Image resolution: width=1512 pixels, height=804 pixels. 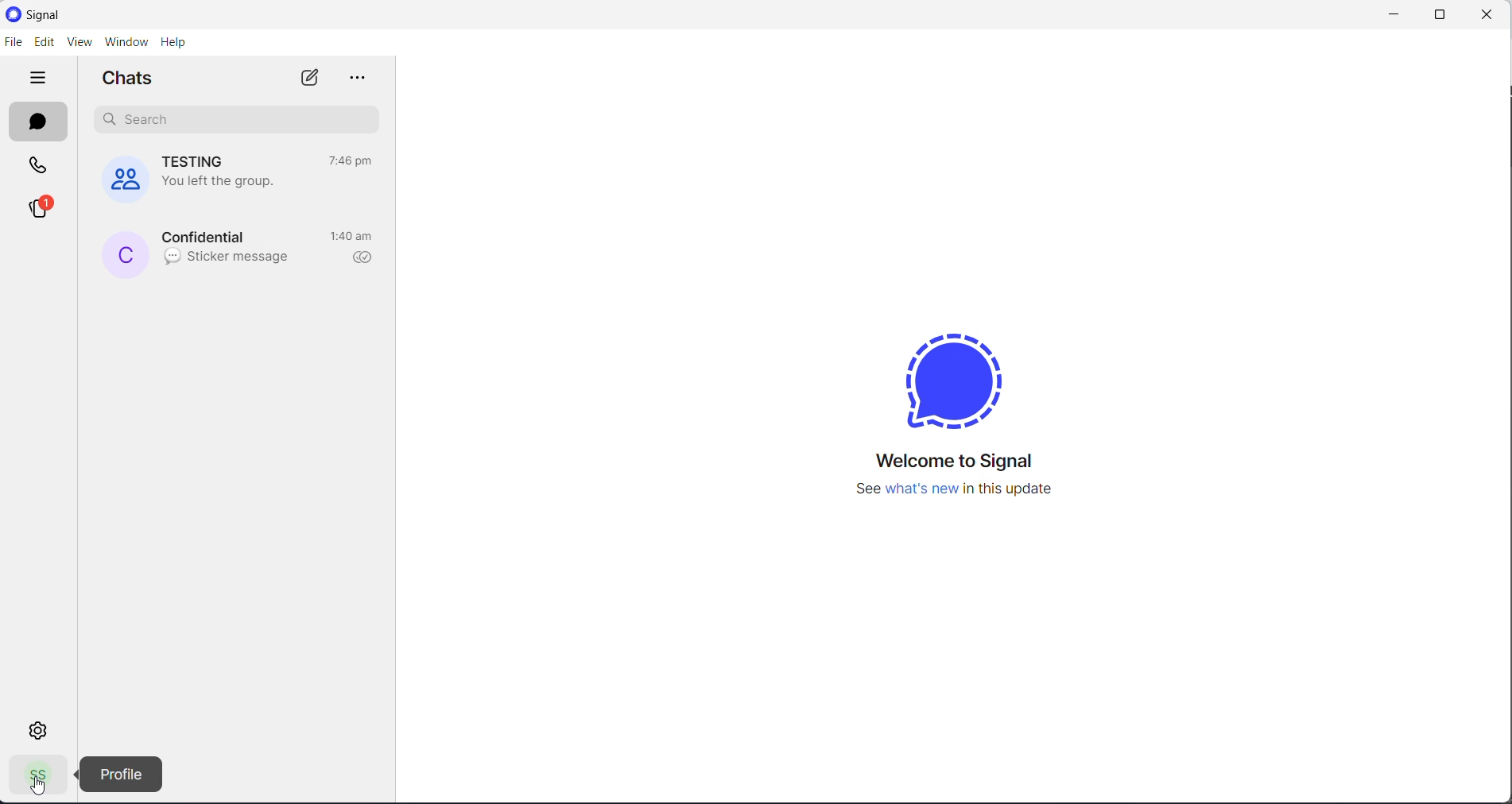 I want to click on HELP, so click(x=174, y=41).